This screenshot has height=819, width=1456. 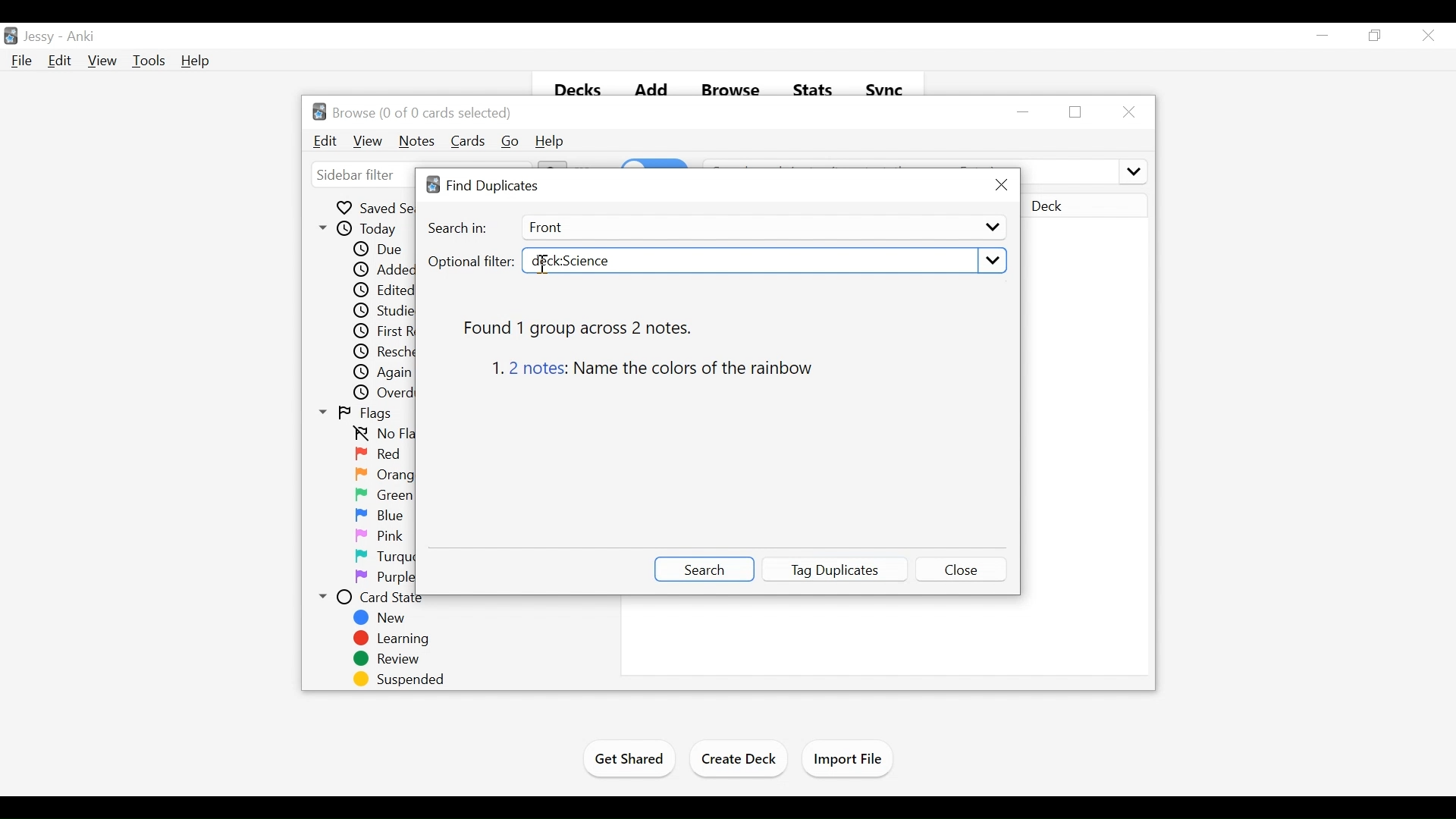 I want to click on Flags, so click(x=356, y=414).